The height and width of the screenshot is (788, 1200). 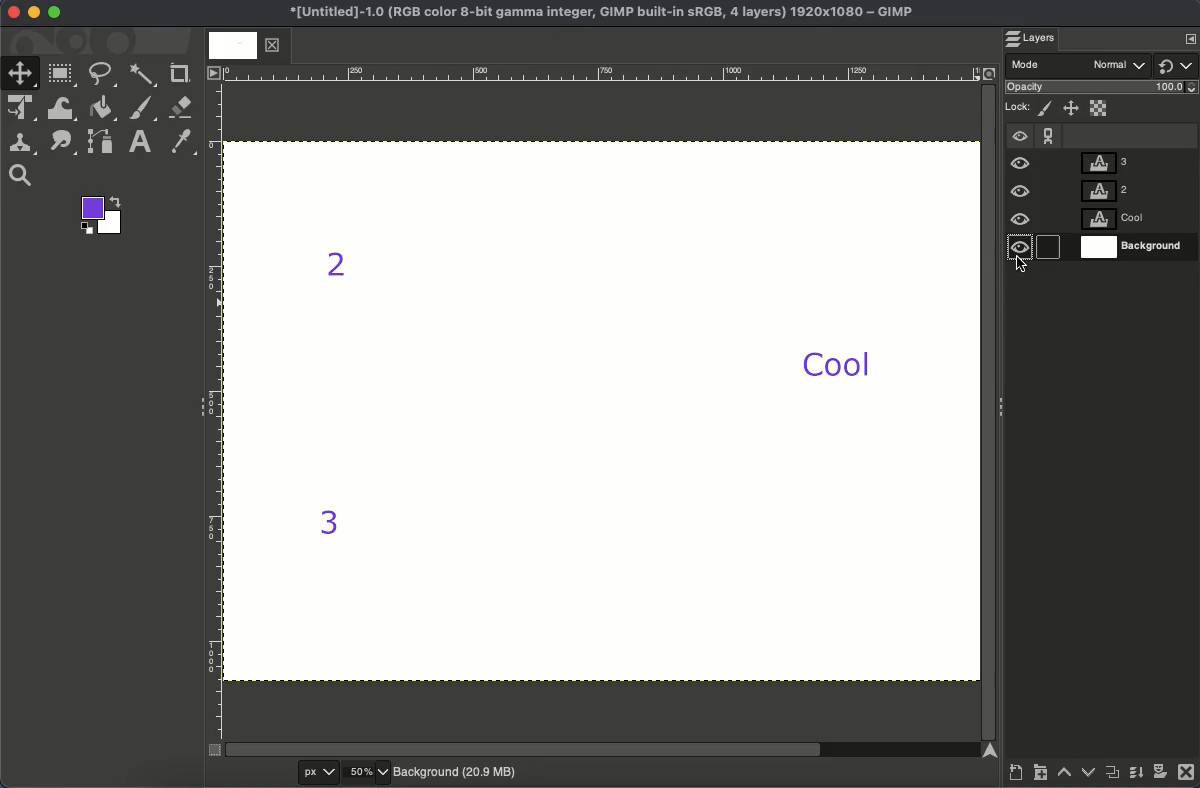 I want to click on Alpha, so click(x=1100, y=107).